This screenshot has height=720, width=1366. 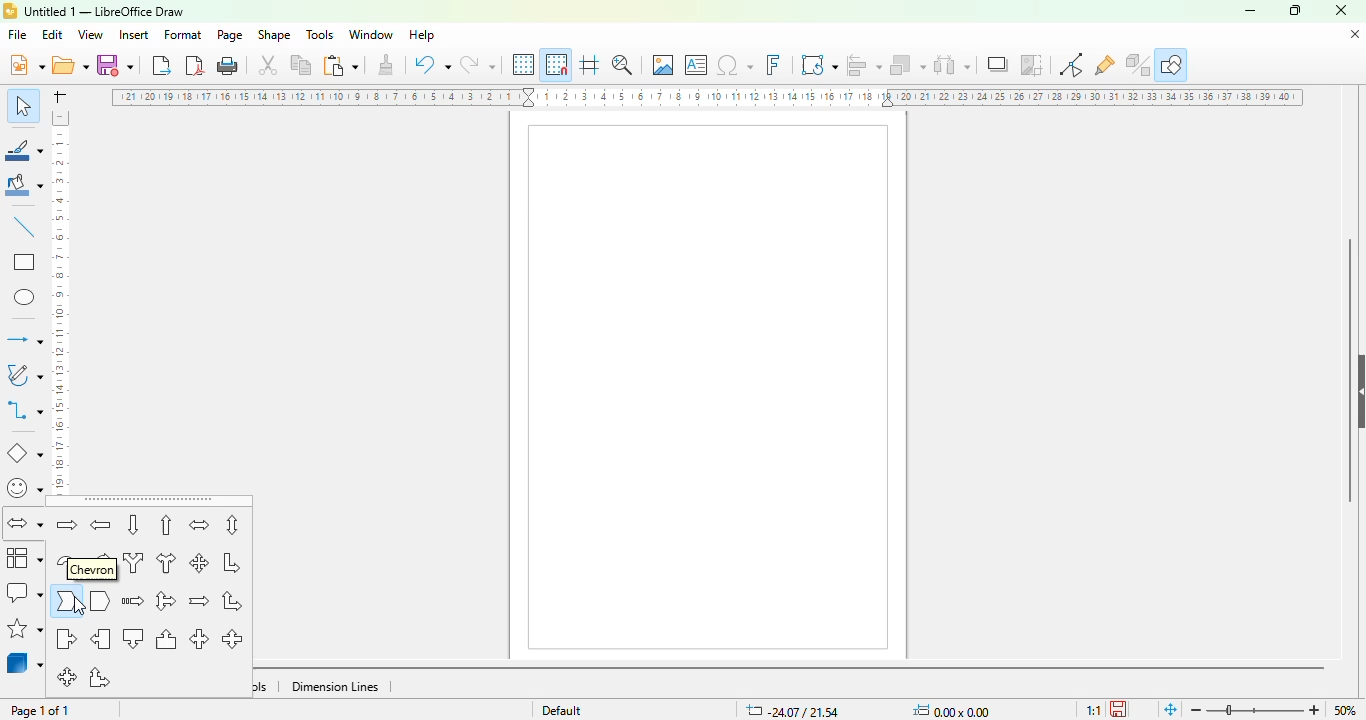 I want to click on up and right arrow callout, so click(x=100, y=677).